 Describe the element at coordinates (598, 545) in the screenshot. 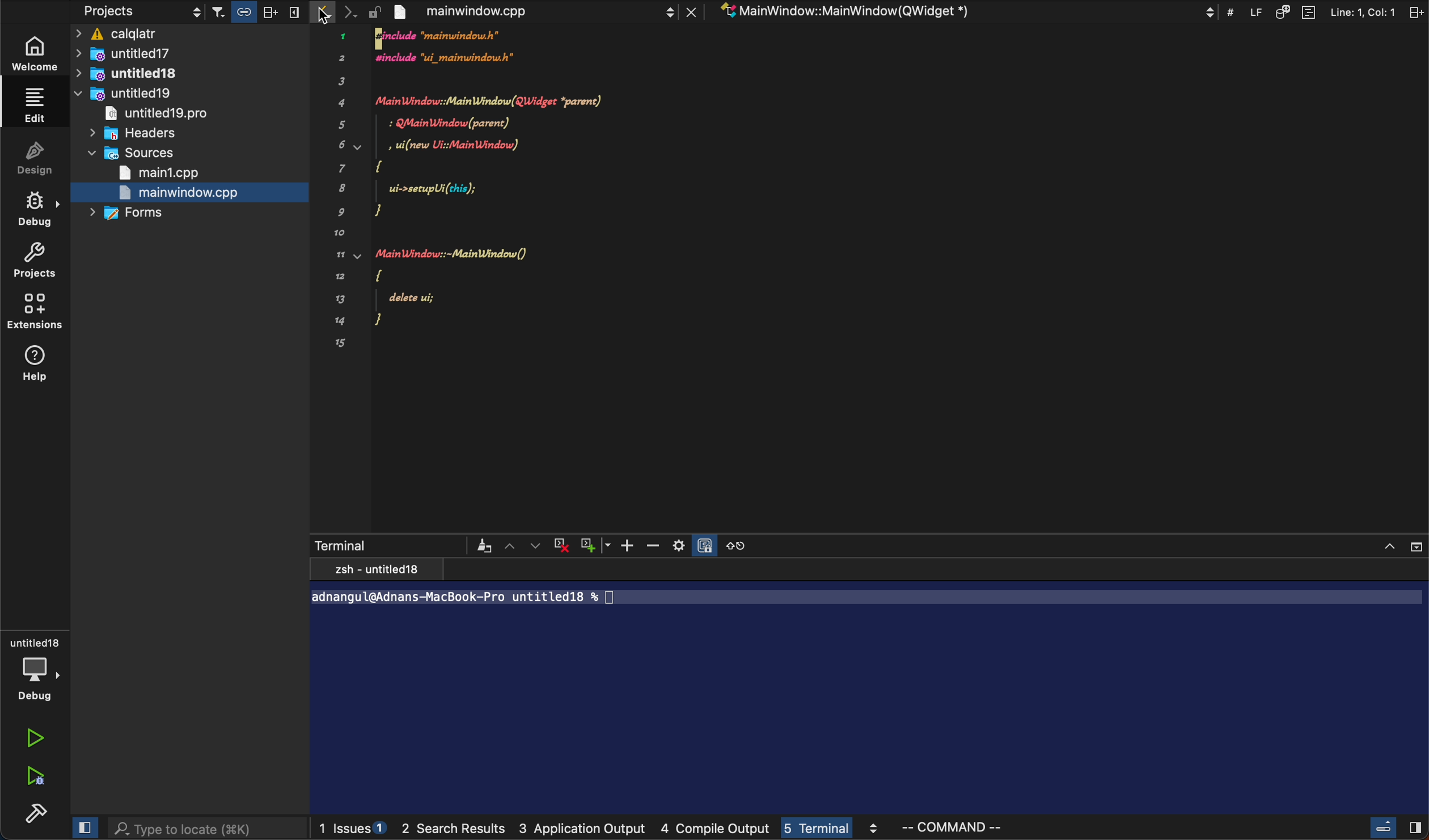

I see `plus` at that location.